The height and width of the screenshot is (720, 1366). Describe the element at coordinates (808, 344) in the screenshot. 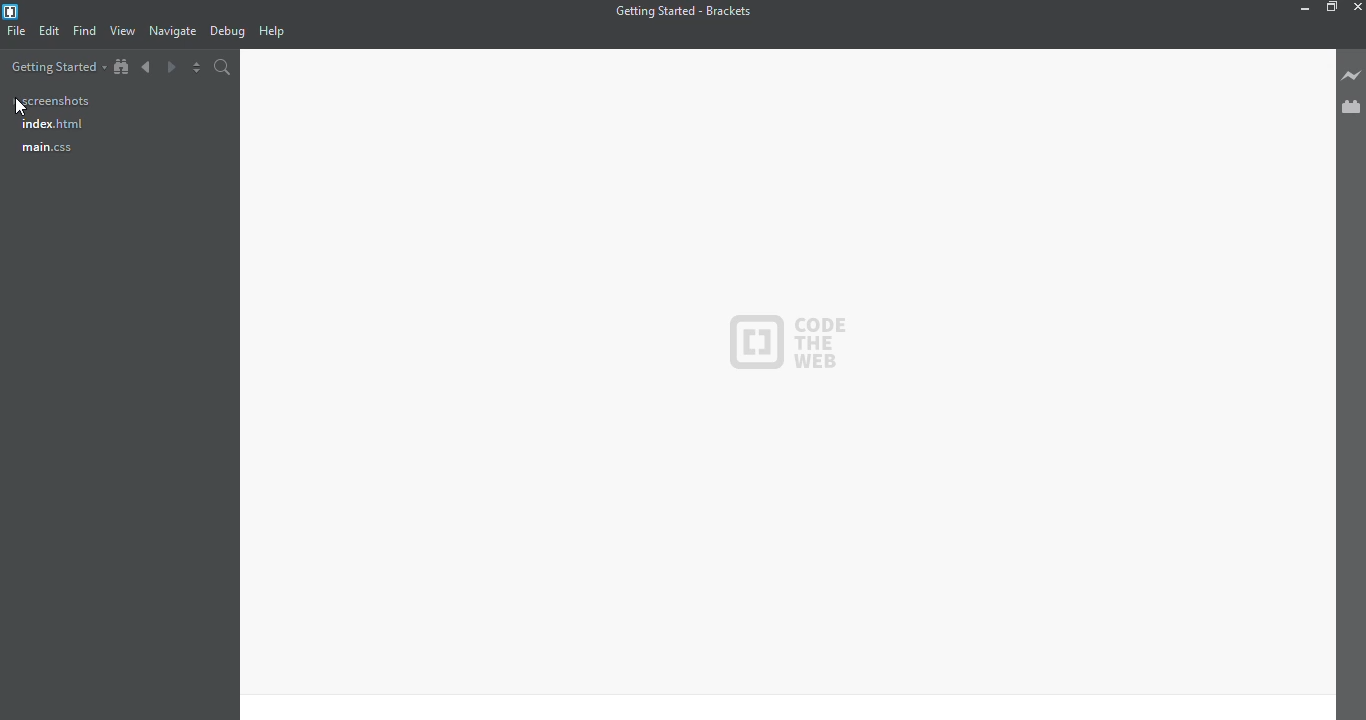

I see `code the web` at that location.